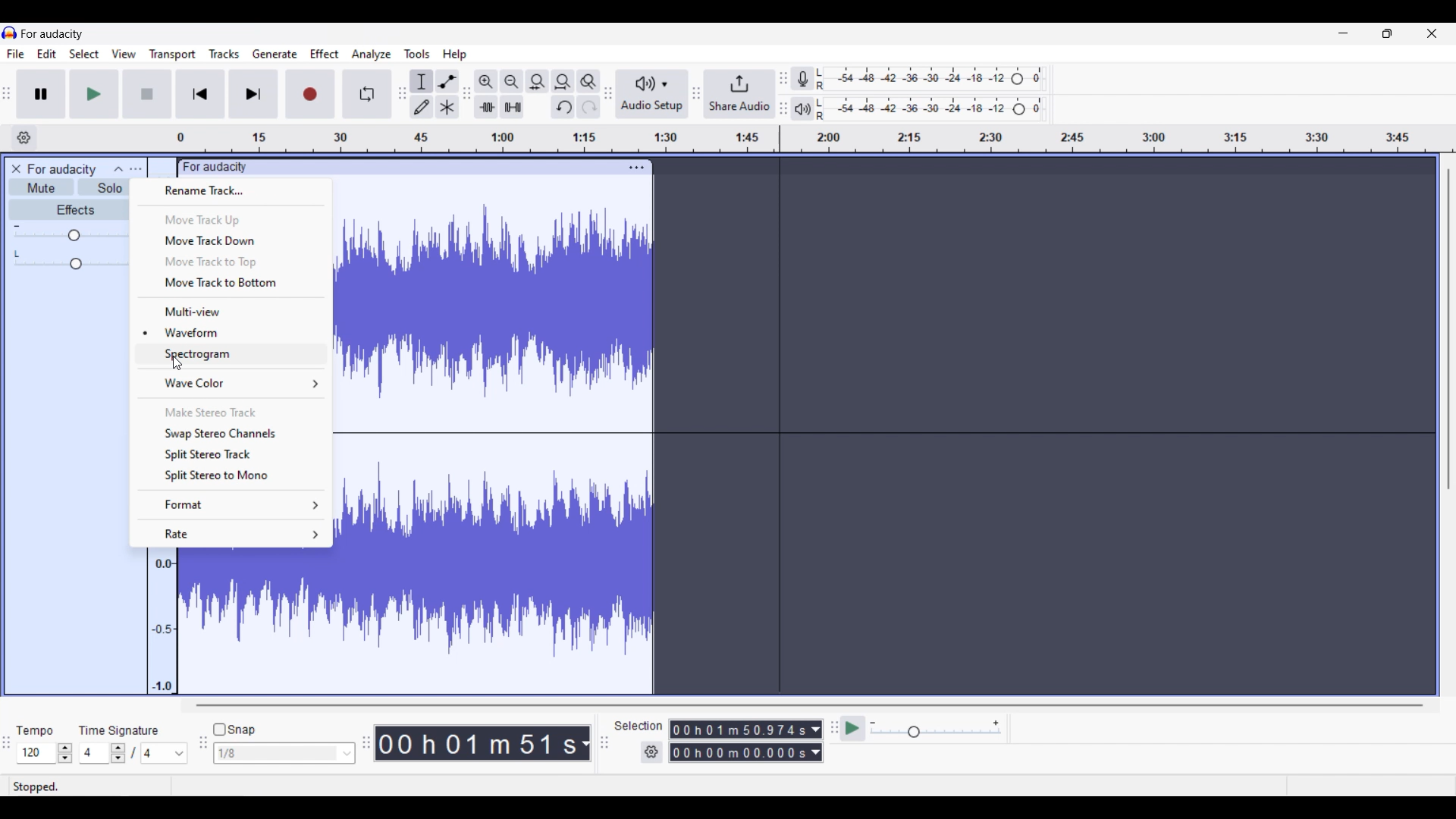 The image size is (1456, 819). Describe the element at coordinates (136, 169) in the screenshot. I see `Open menu` at that location.